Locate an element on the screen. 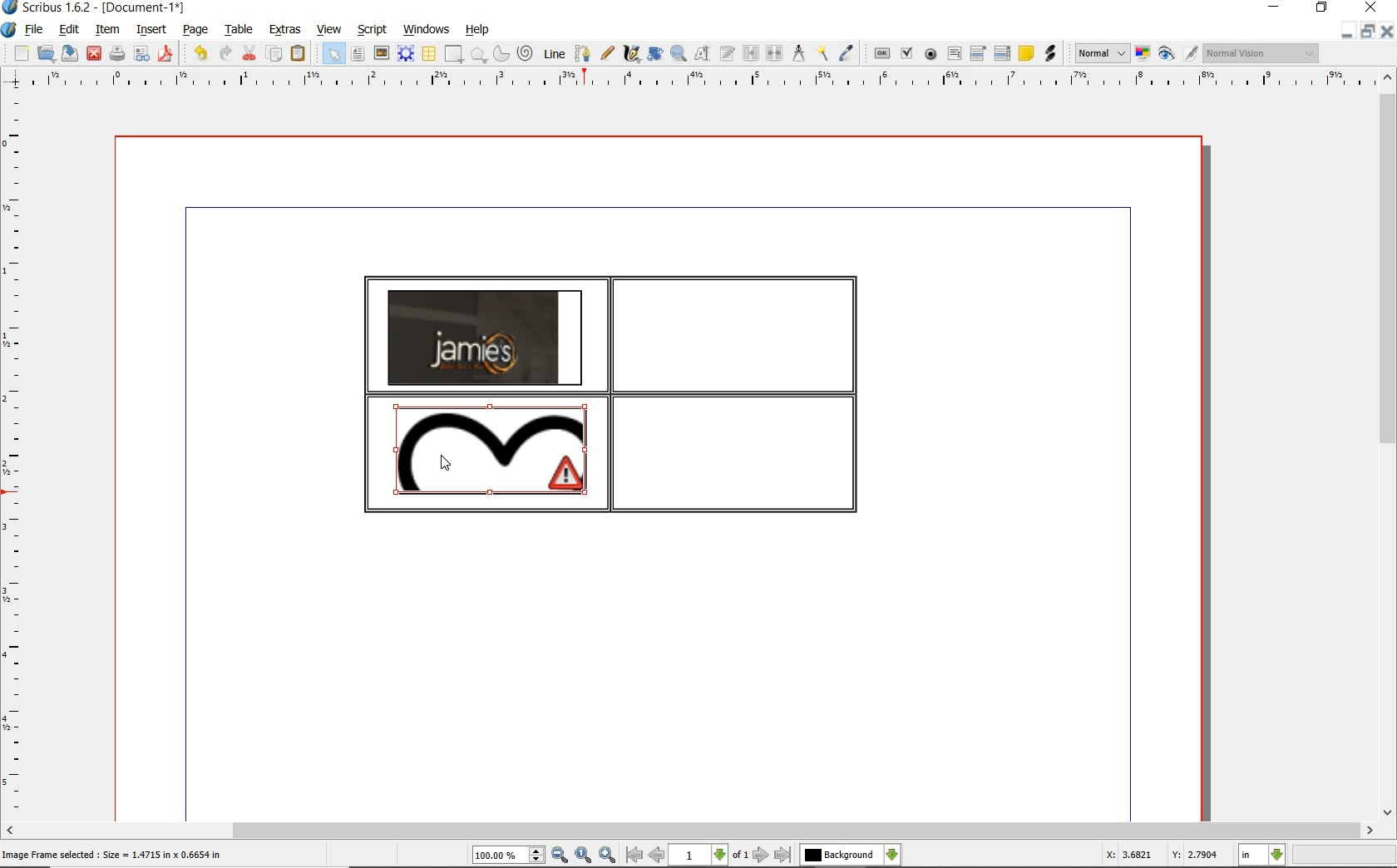  table is located at coordinates (430, 55).